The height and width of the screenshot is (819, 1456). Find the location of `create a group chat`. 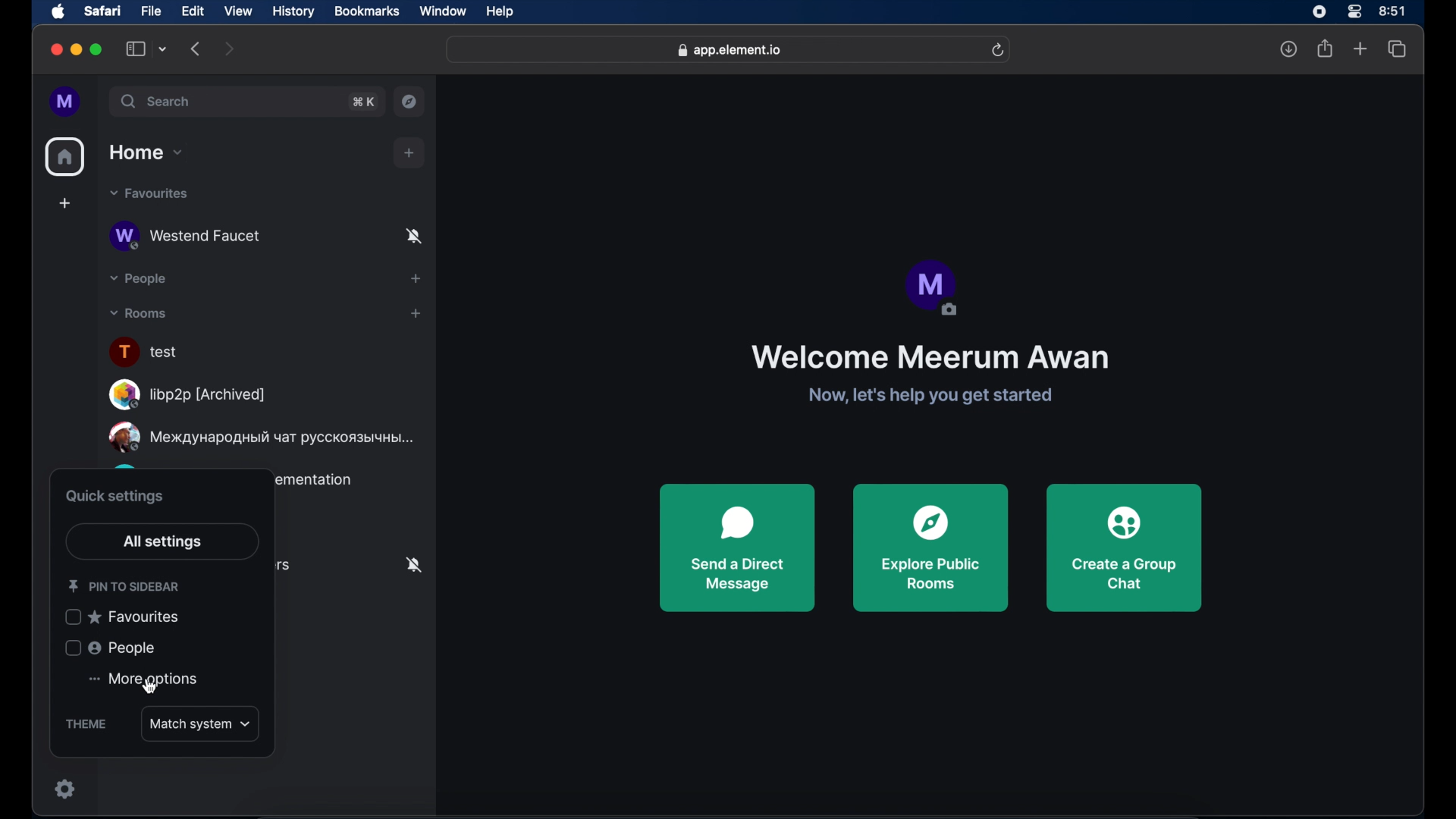

create a group chat is located at coordinates (1124, 549).